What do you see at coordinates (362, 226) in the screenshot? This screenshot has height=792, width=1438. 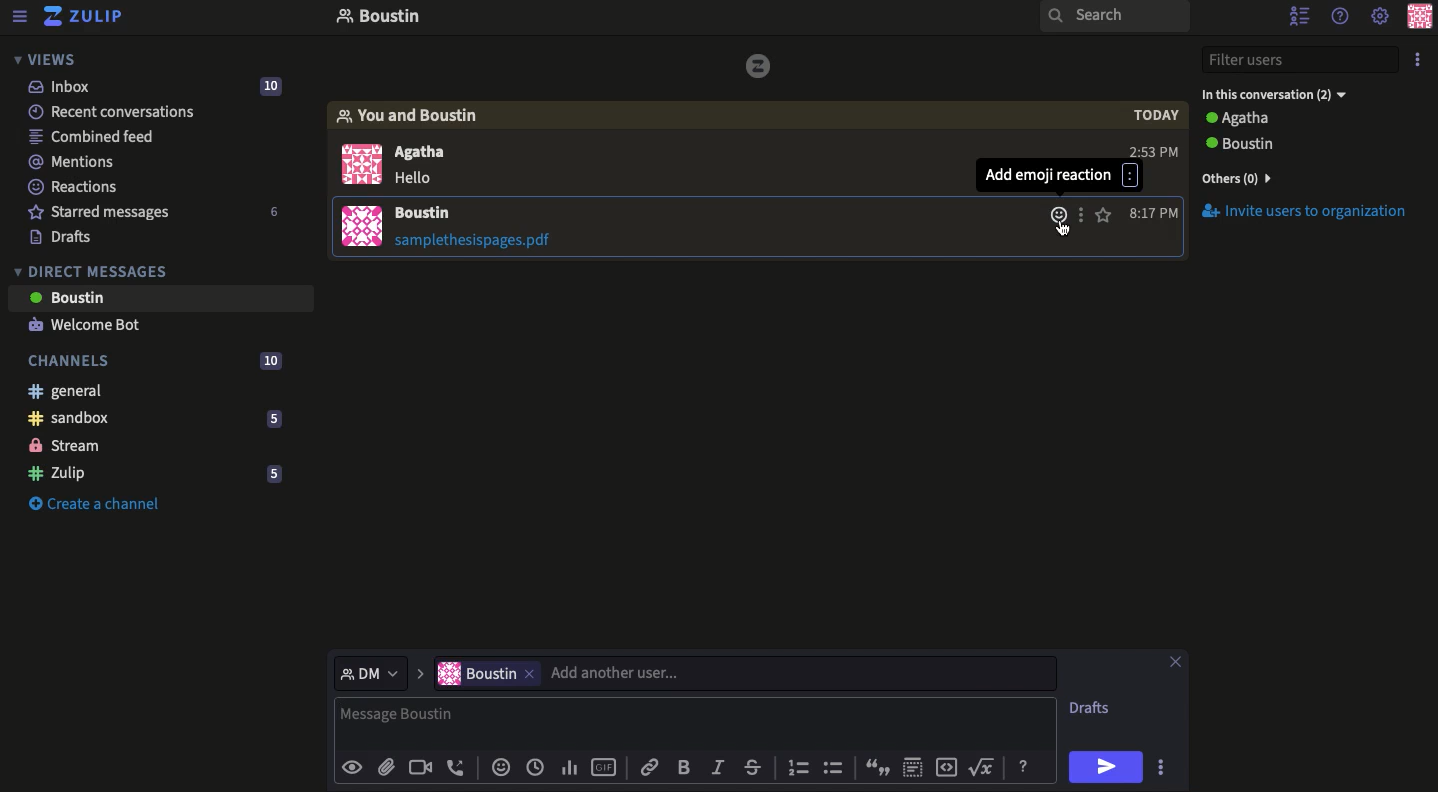 I see `image` at bounding box center [362, 226].